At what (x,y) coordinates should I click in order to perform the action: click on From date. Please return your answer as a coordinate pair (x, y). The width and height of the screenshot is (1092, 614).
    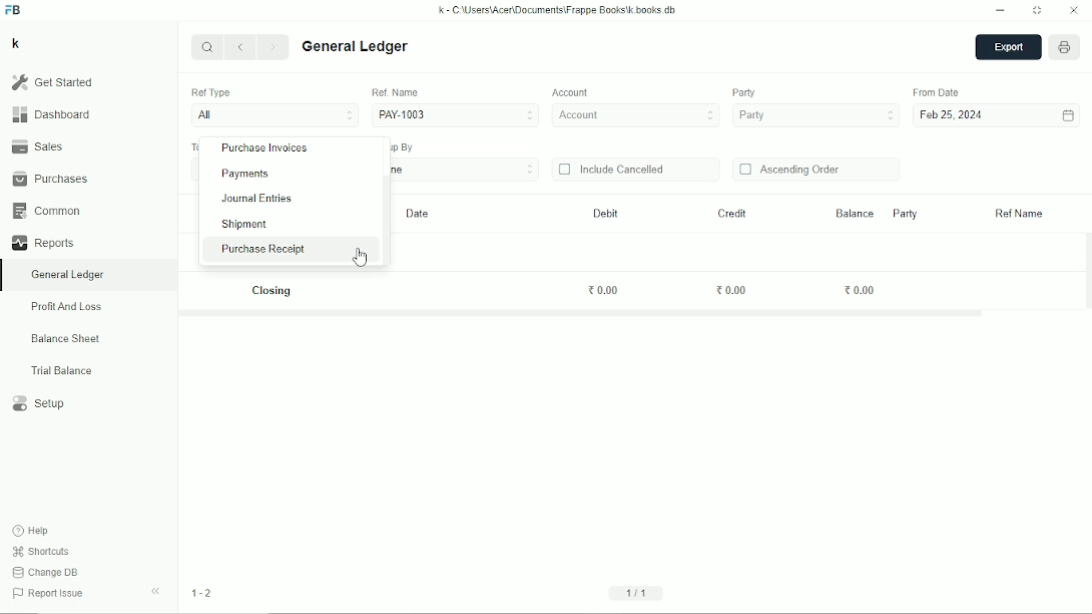
    Looking at the image, I should click on (938, 92).